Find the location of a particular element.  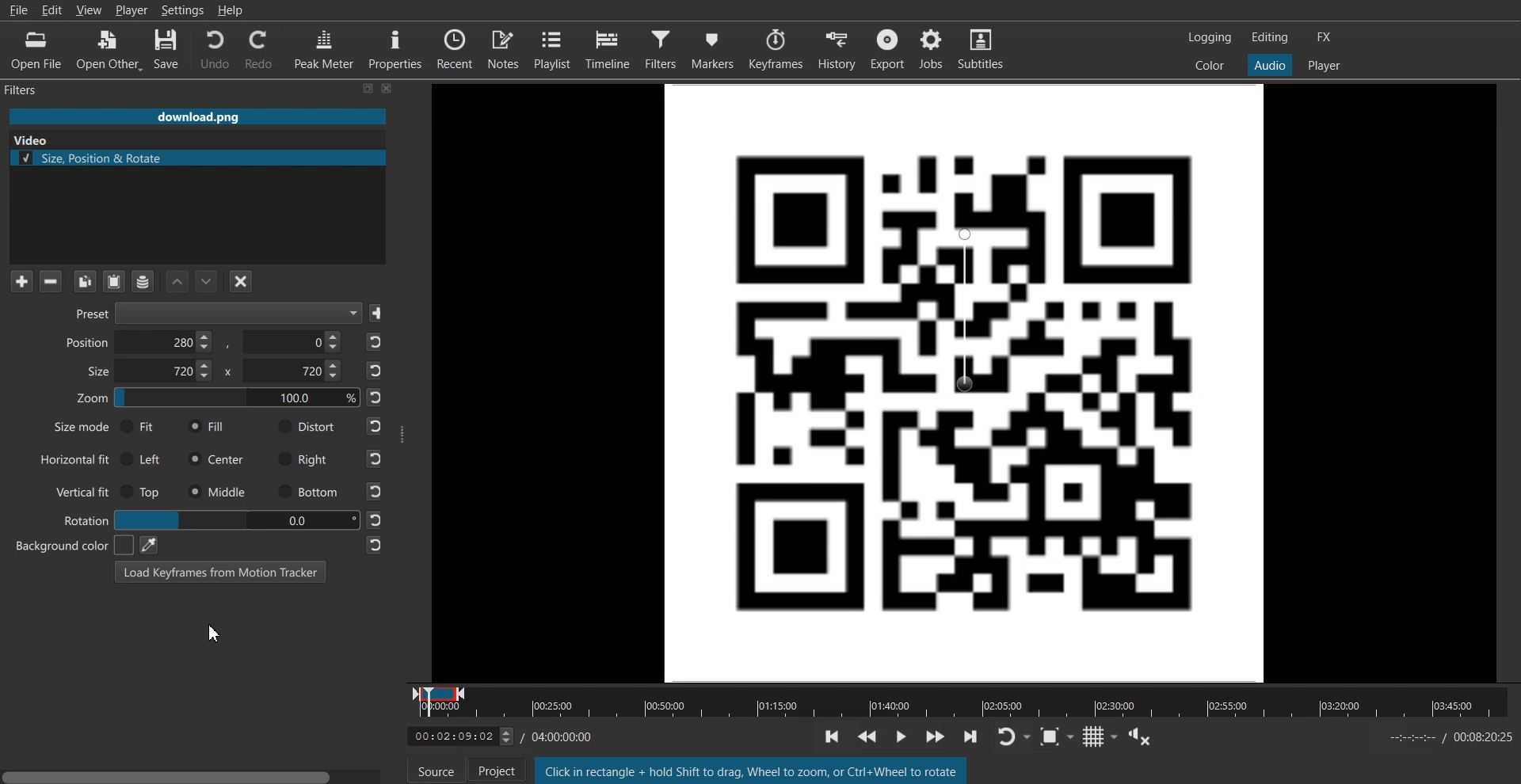

Slider is located at coordinates (963, 712).